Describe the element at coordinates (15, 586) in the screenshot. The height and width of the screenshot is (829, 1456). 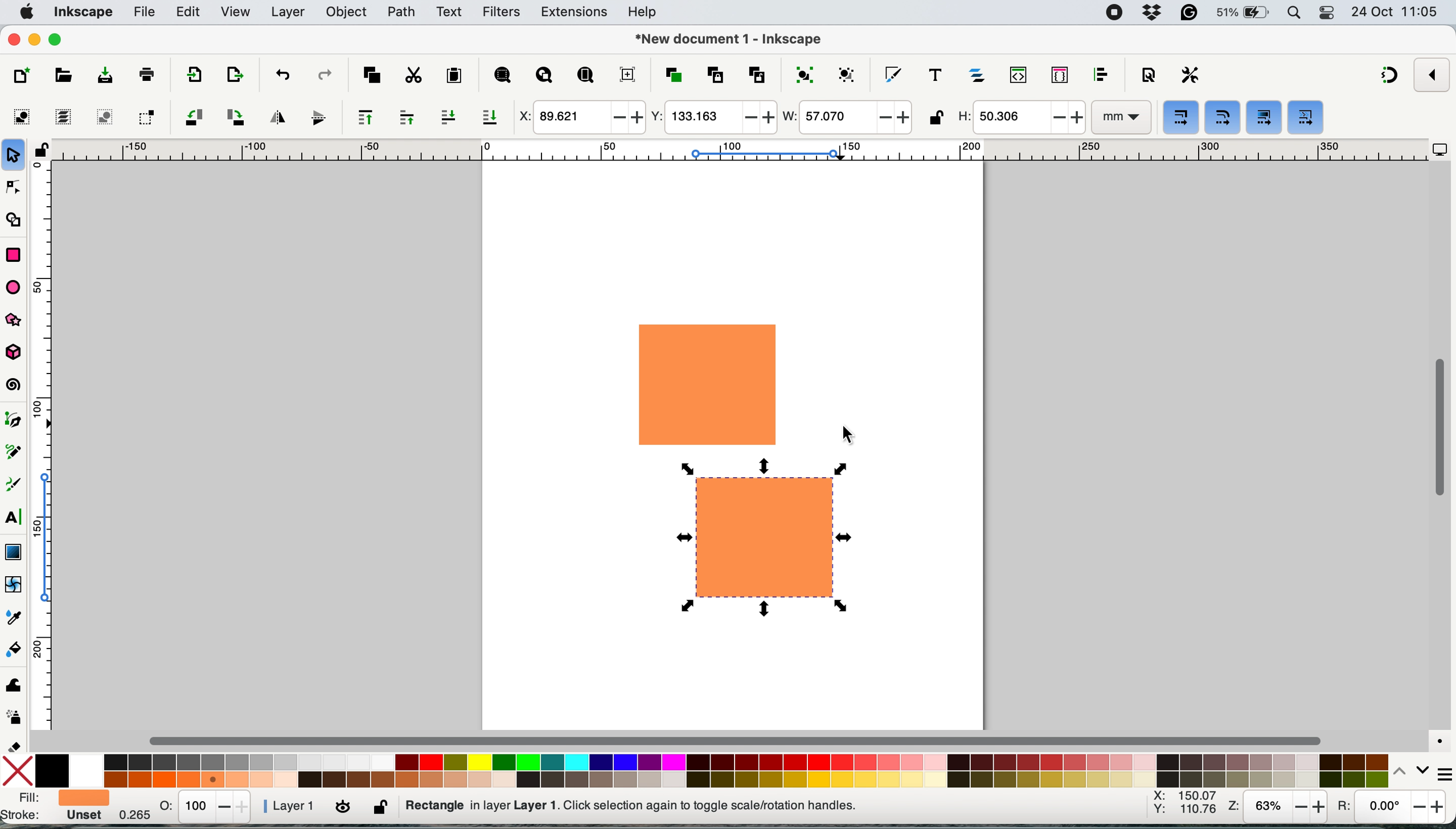
I see `mesh tool` at that location.